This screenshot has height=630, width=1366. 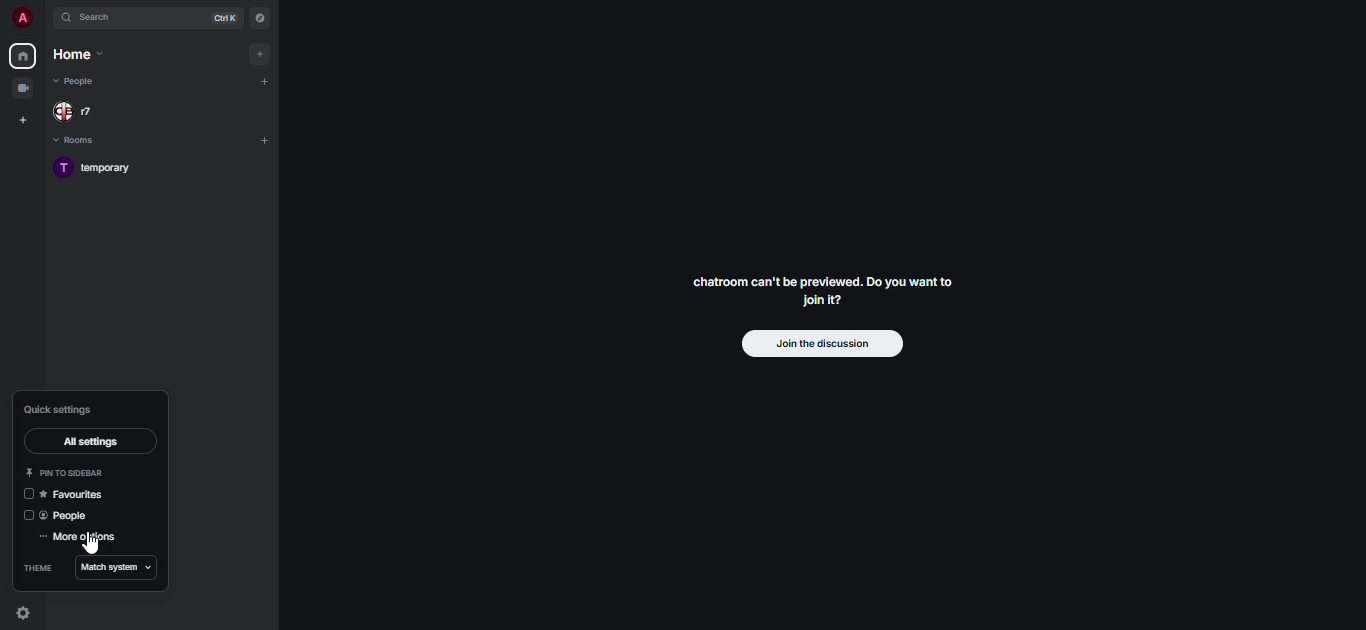 What do you see at coordinates (261, 18) in the screenshot?
I see `navigator` at bounding box center [261, 18].